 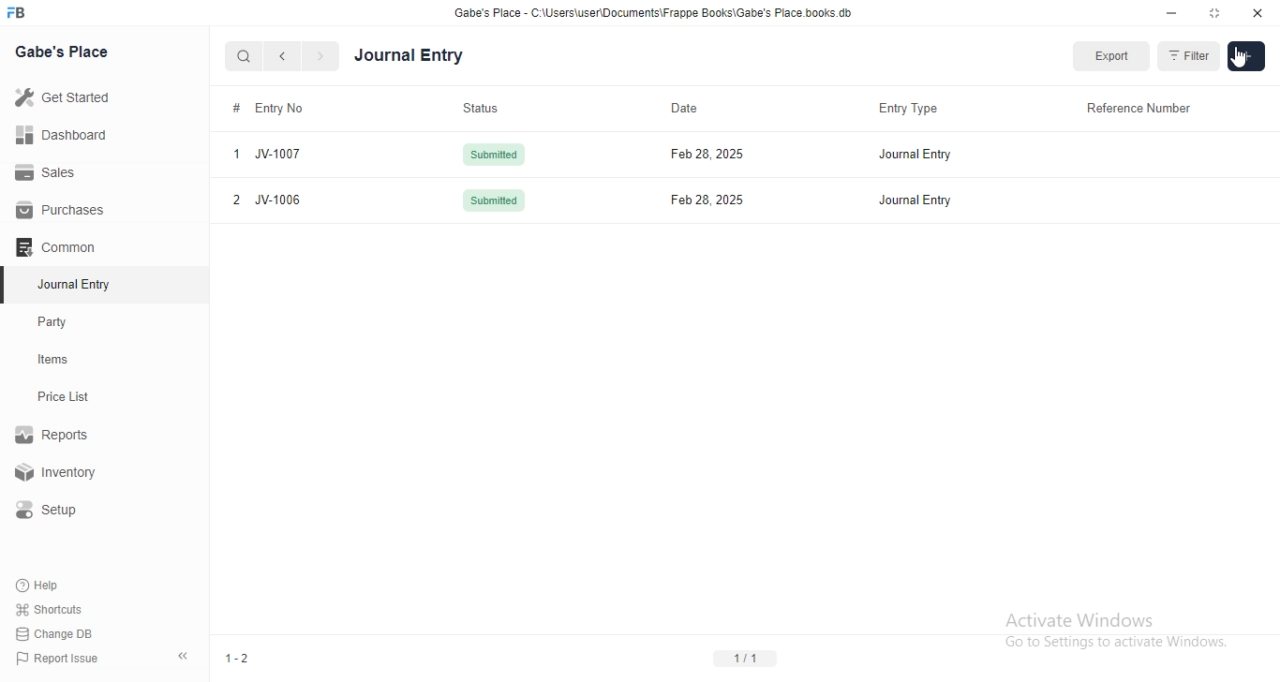 I want to click on Help, so click(x=41, y=585).